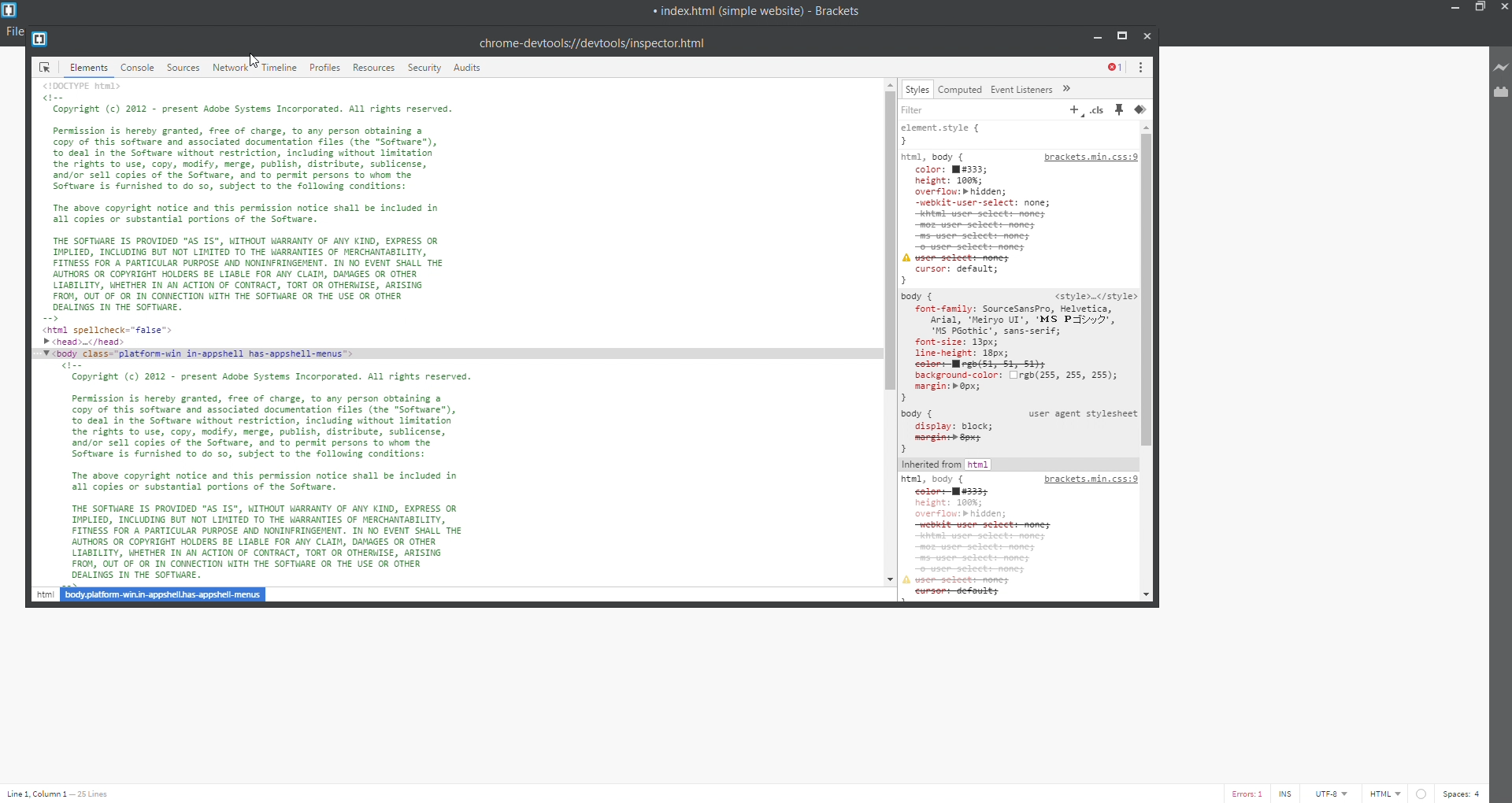 The width and height of the screenshot is (1512, 803). Describe the element at coordinates (710, 9) in the screenshot. I see `title bar` at that location.